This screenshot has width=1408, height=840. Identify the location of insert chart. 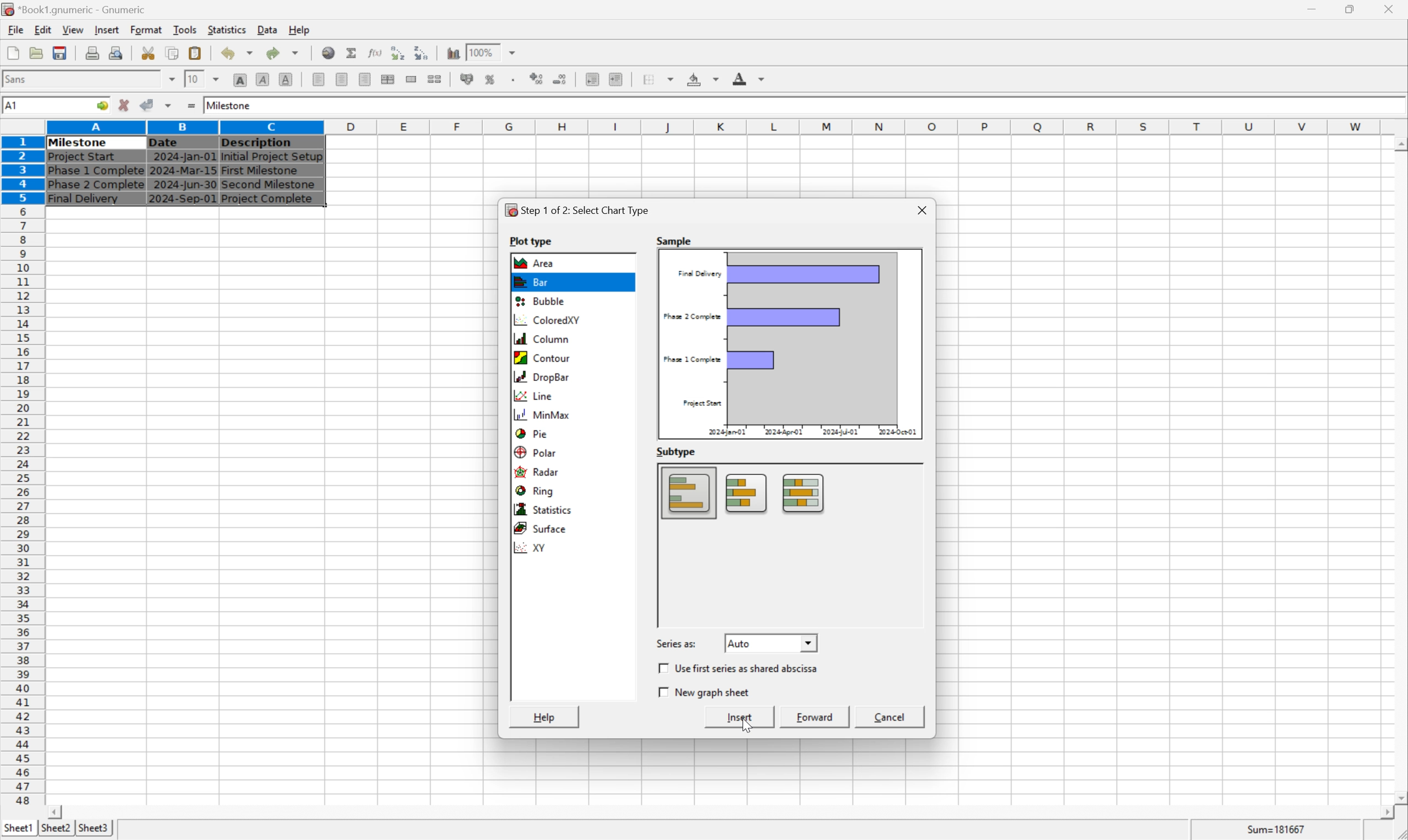
(452, 52).